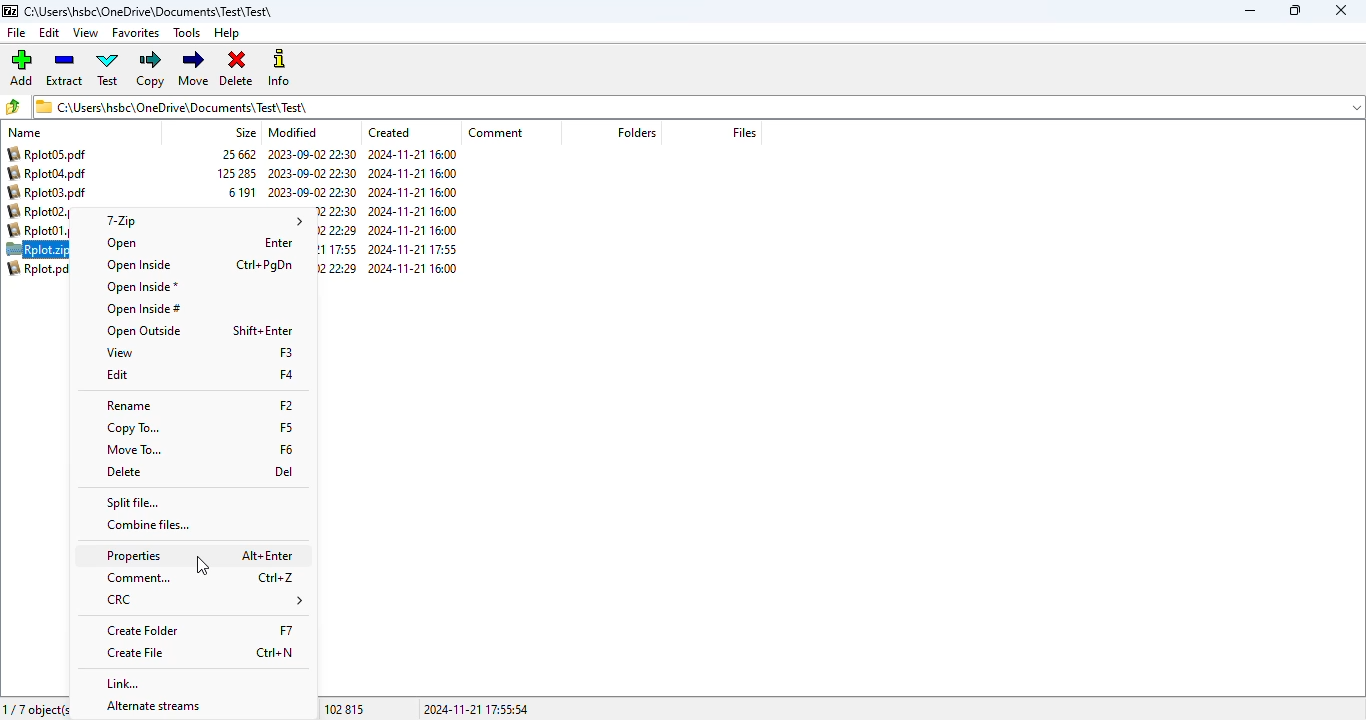 The height and width of the screenshot is (720, 1366). I want to click on copy, so click(150, 69).